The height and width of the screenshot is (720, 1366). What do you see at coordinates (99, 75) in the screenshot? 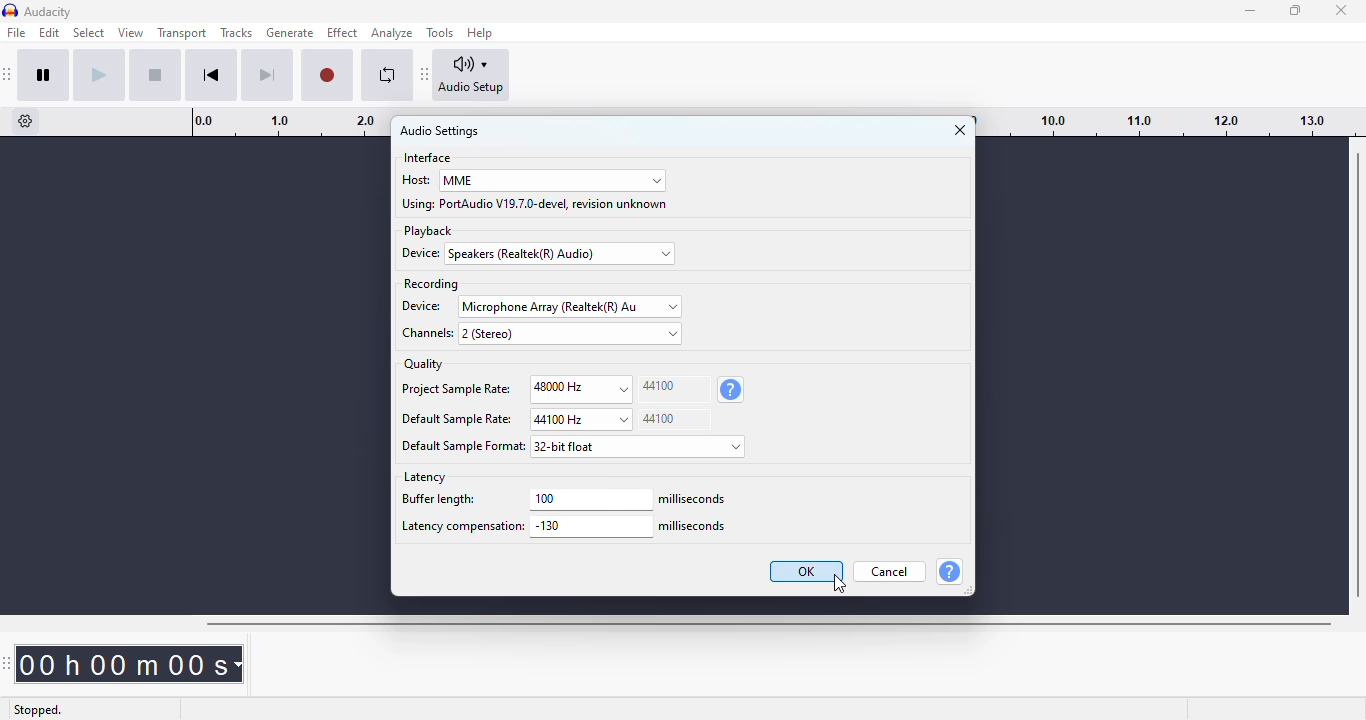
I see `play` at bounding box center [99, 75].